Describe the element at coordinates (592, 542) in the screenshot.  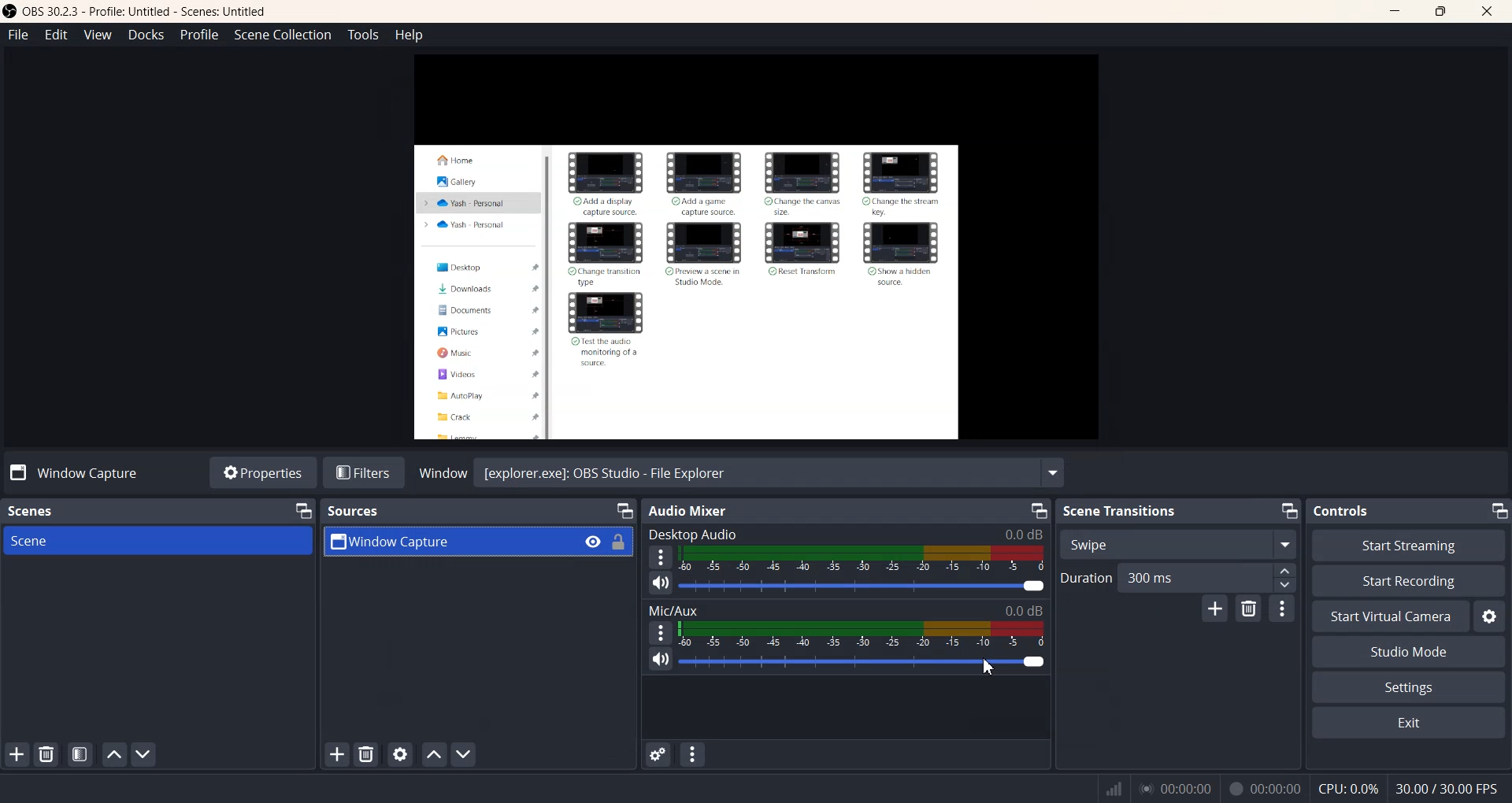
I see `Eye` at that location.